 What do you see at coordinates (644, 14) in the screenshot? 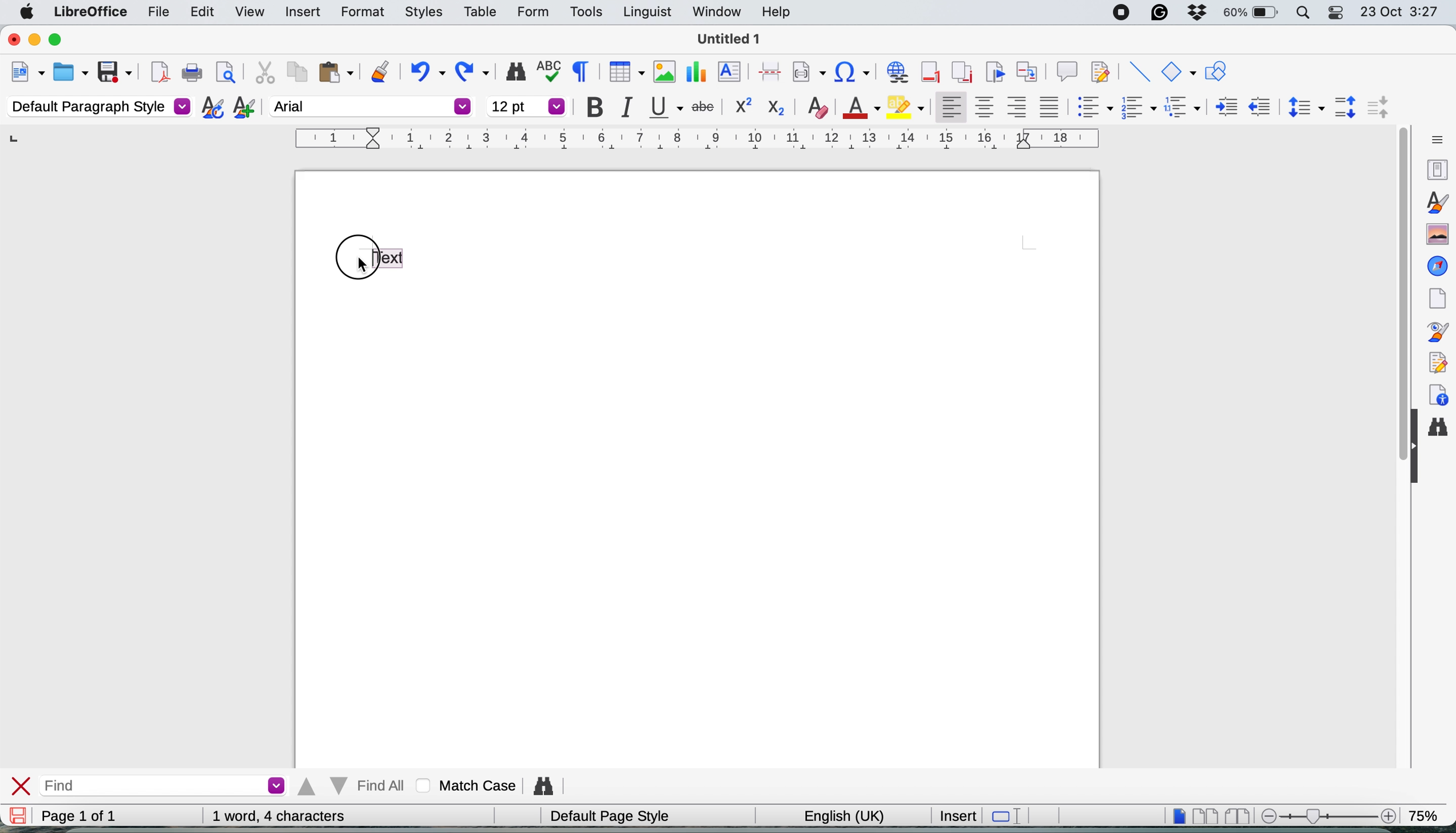
I see `linguist` at bounding box center [644, 14].